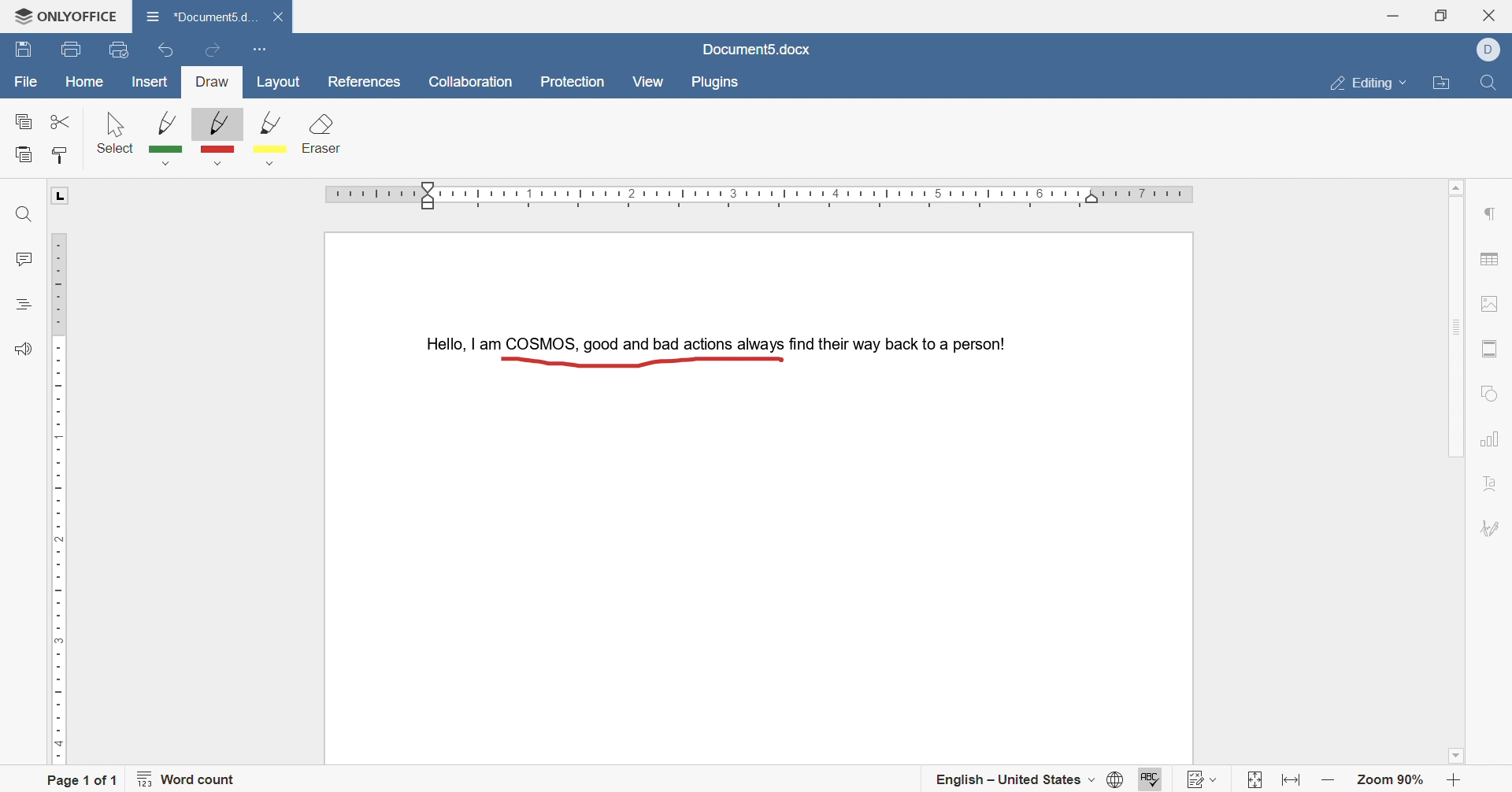  What do you see at coordinates (86, 81) in the screenshot?
I see `home` at bounding box center [86, 81].